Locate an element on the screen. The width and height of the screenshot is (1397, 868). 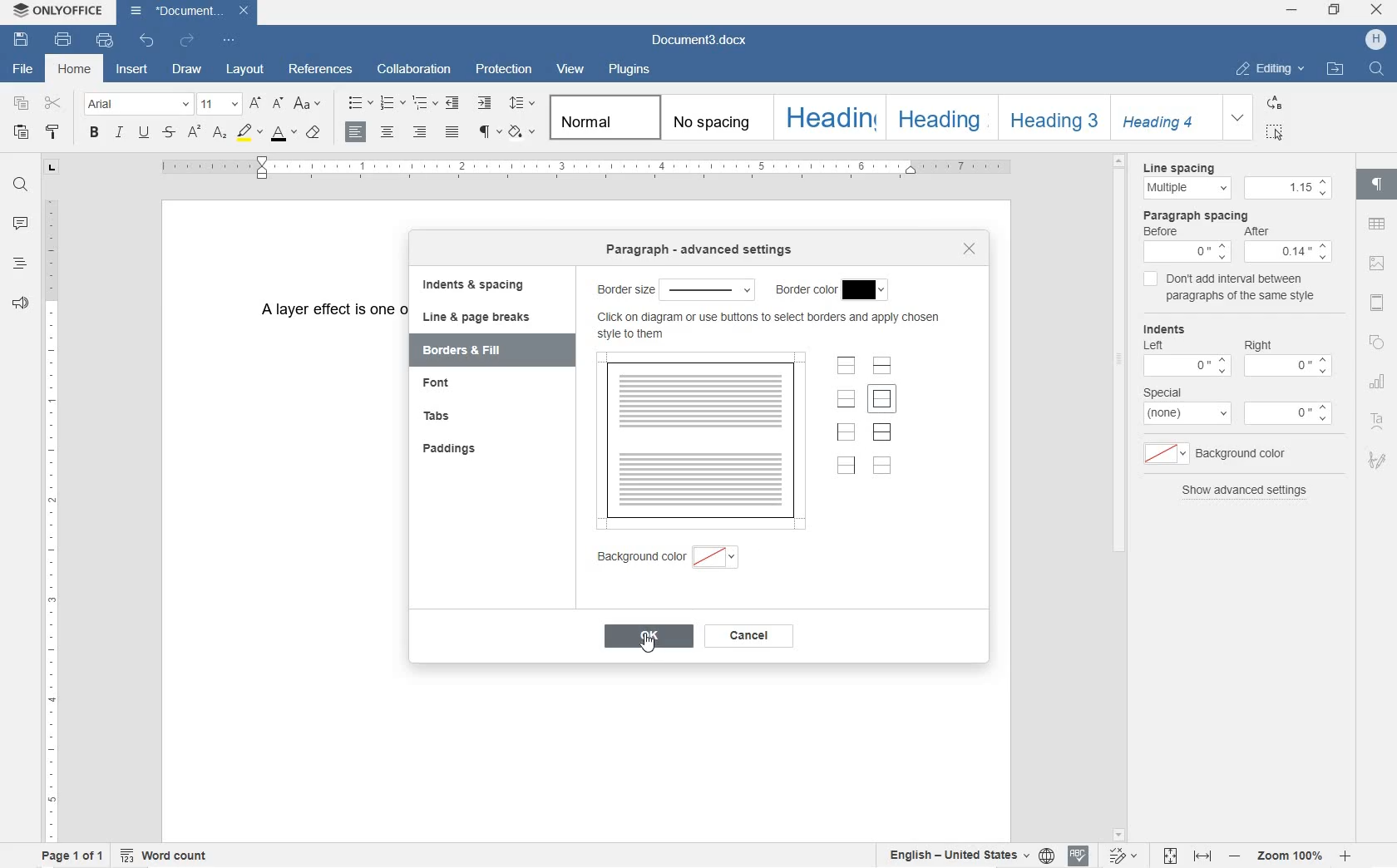
line & page breaks is located at coordinates (488, 317).